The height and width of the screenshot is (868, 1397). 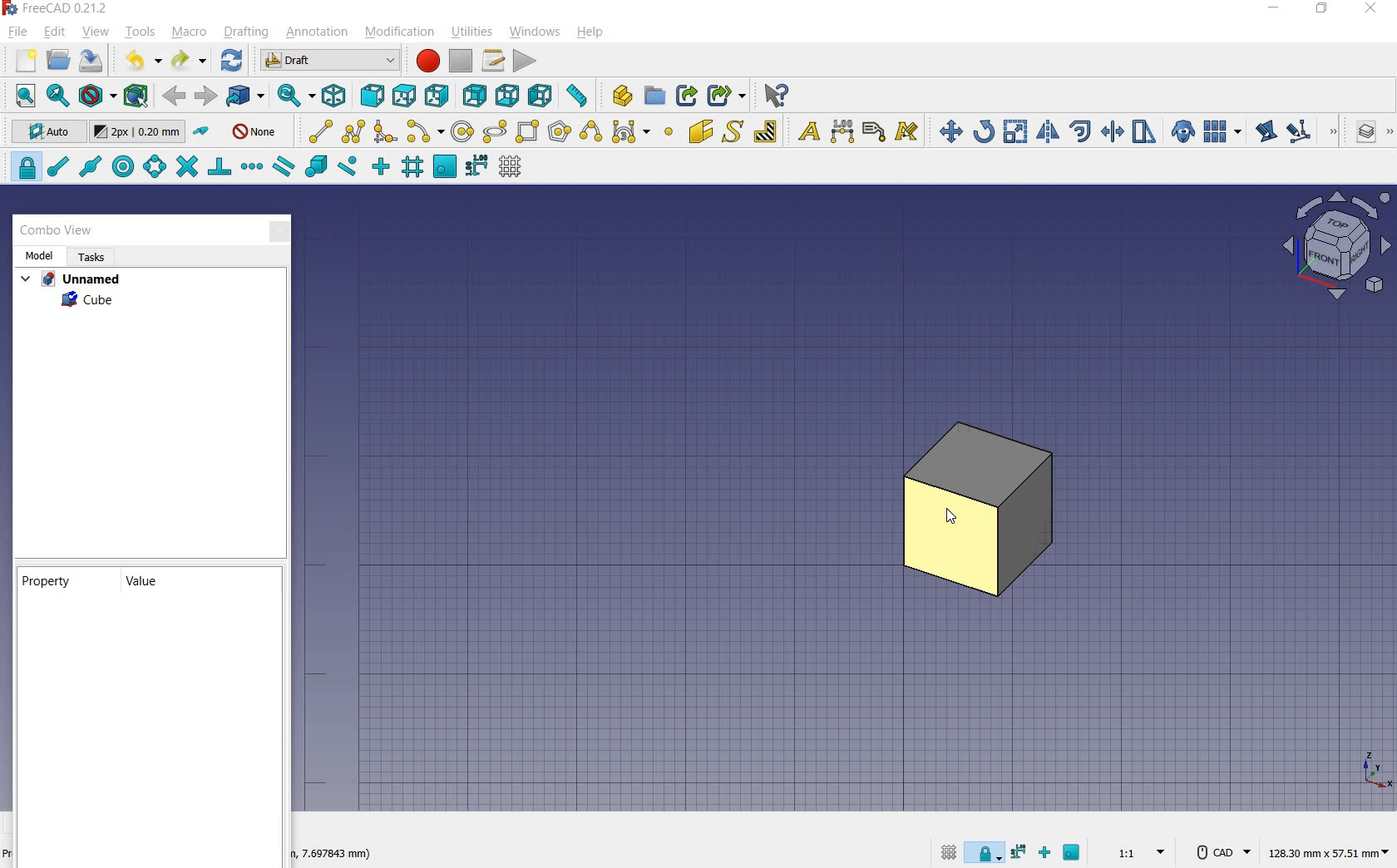 I want to click on switch between workbenches, so click(x=329, y=61).